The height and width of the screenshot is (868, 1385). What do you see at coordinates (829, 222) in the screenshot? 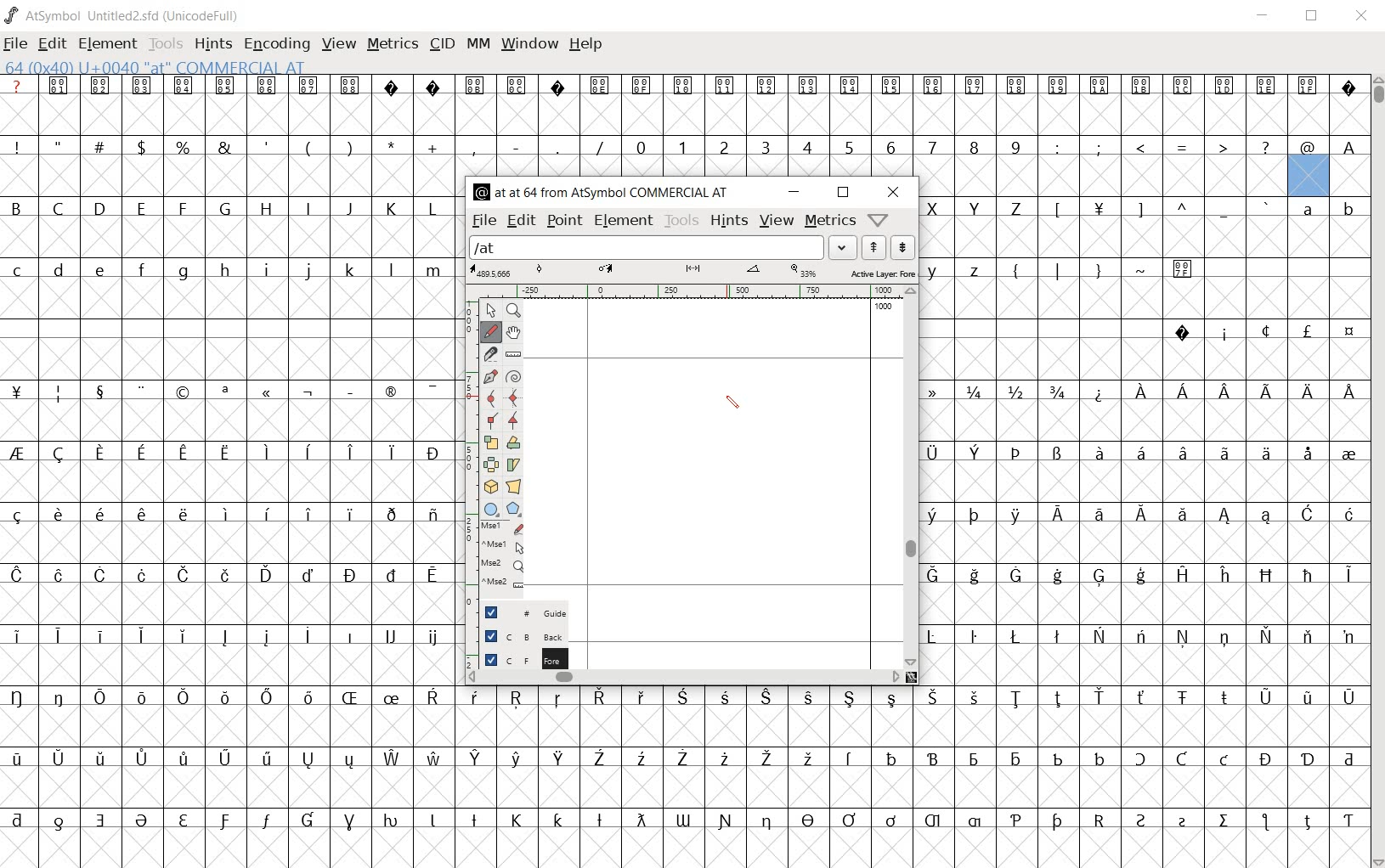
I see `metrics` at bounding box center [829, 222].